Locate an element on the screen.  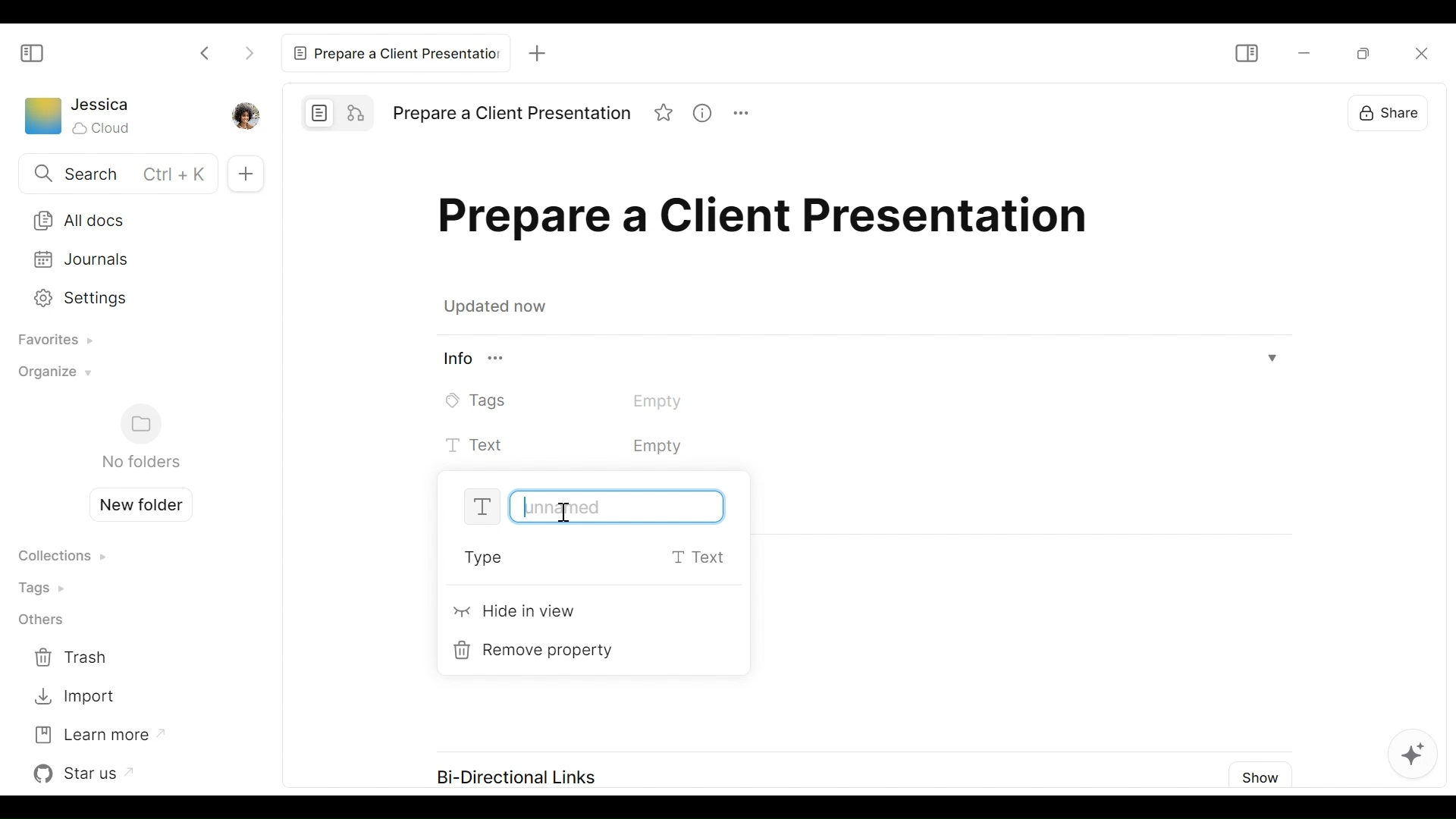
Hide in View is located at coordinates (516, 614).